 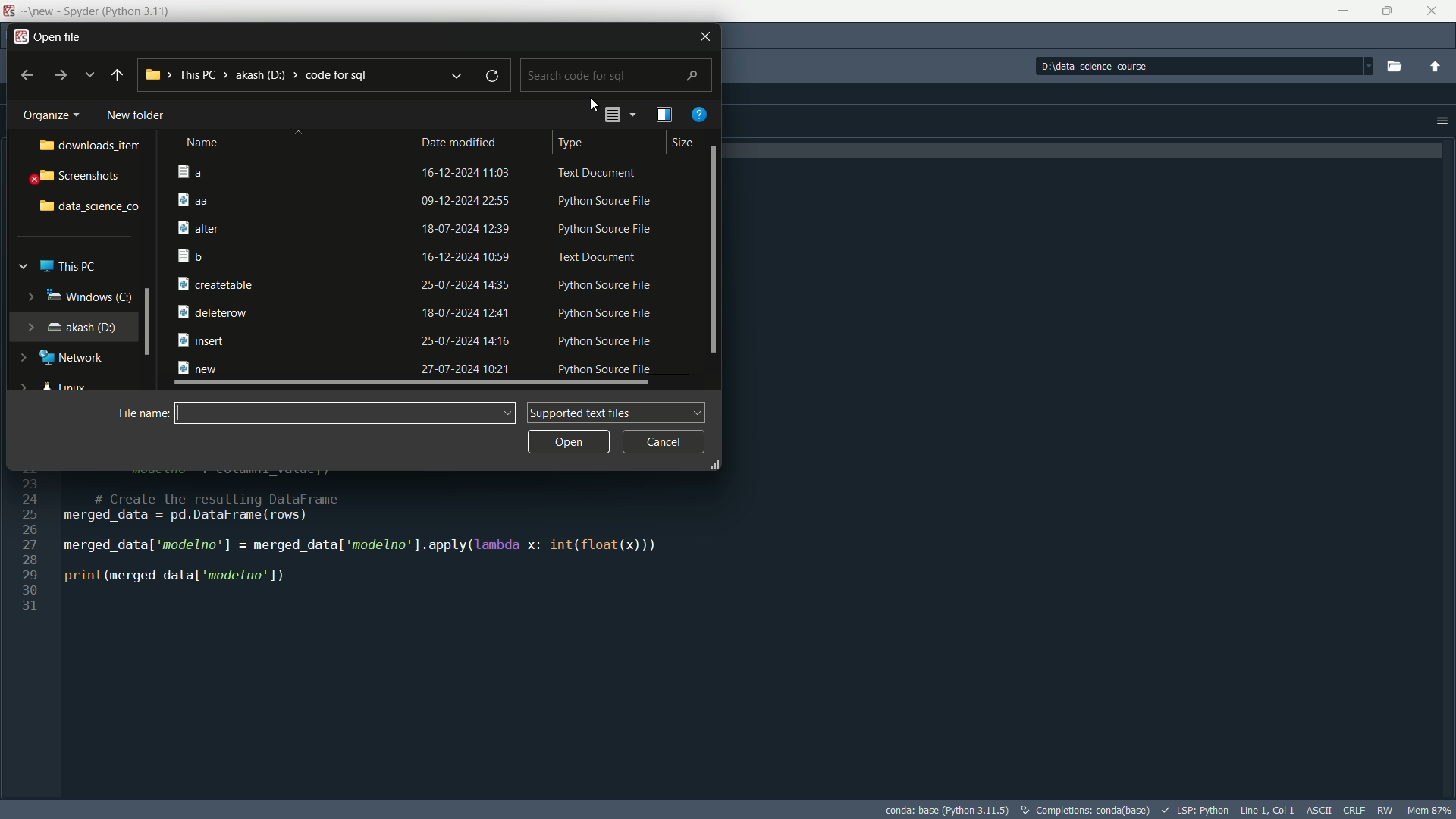 I want to click on back, so click(x=25, y=75).